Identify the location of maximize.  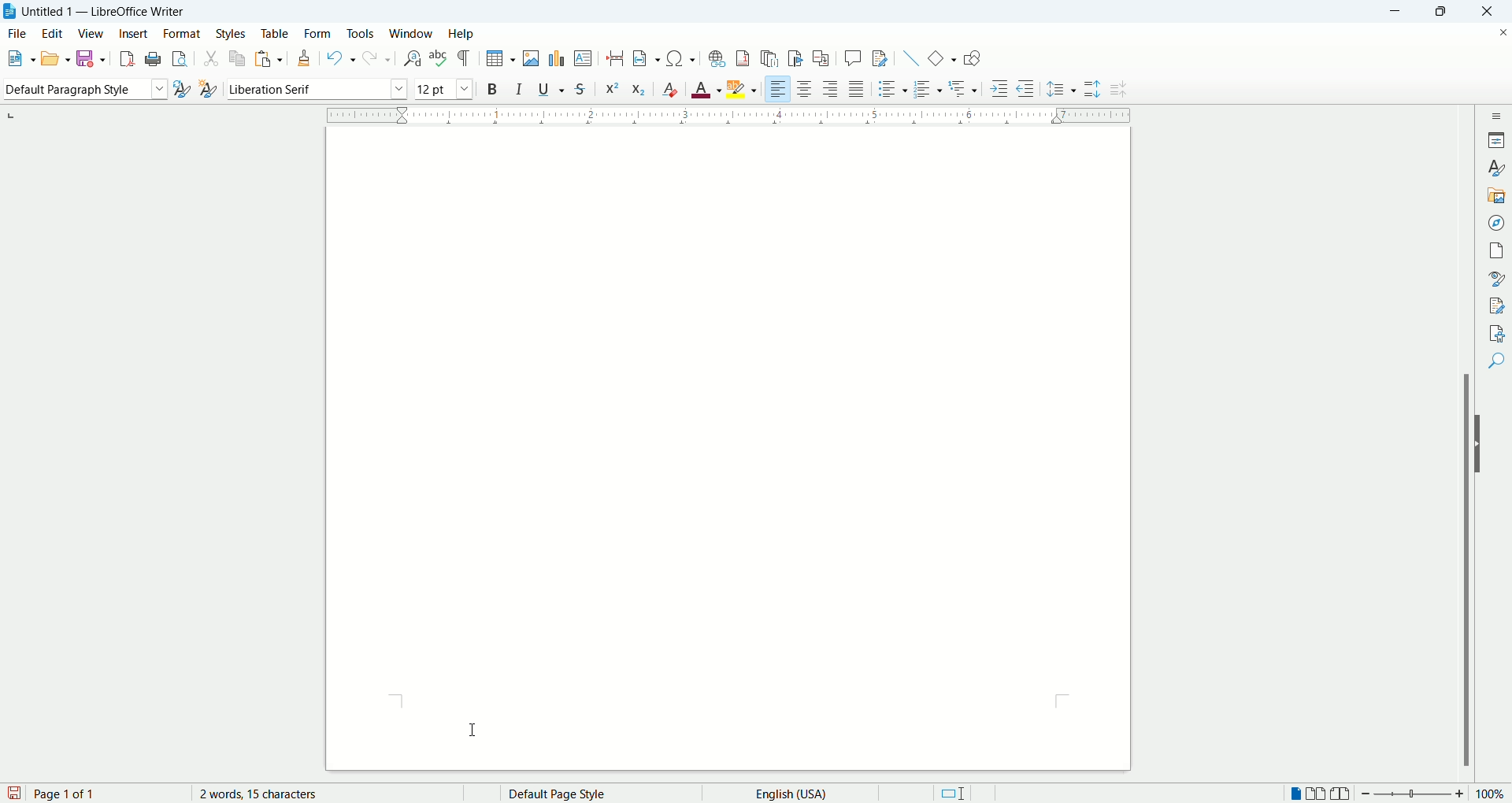
(1447, 13).